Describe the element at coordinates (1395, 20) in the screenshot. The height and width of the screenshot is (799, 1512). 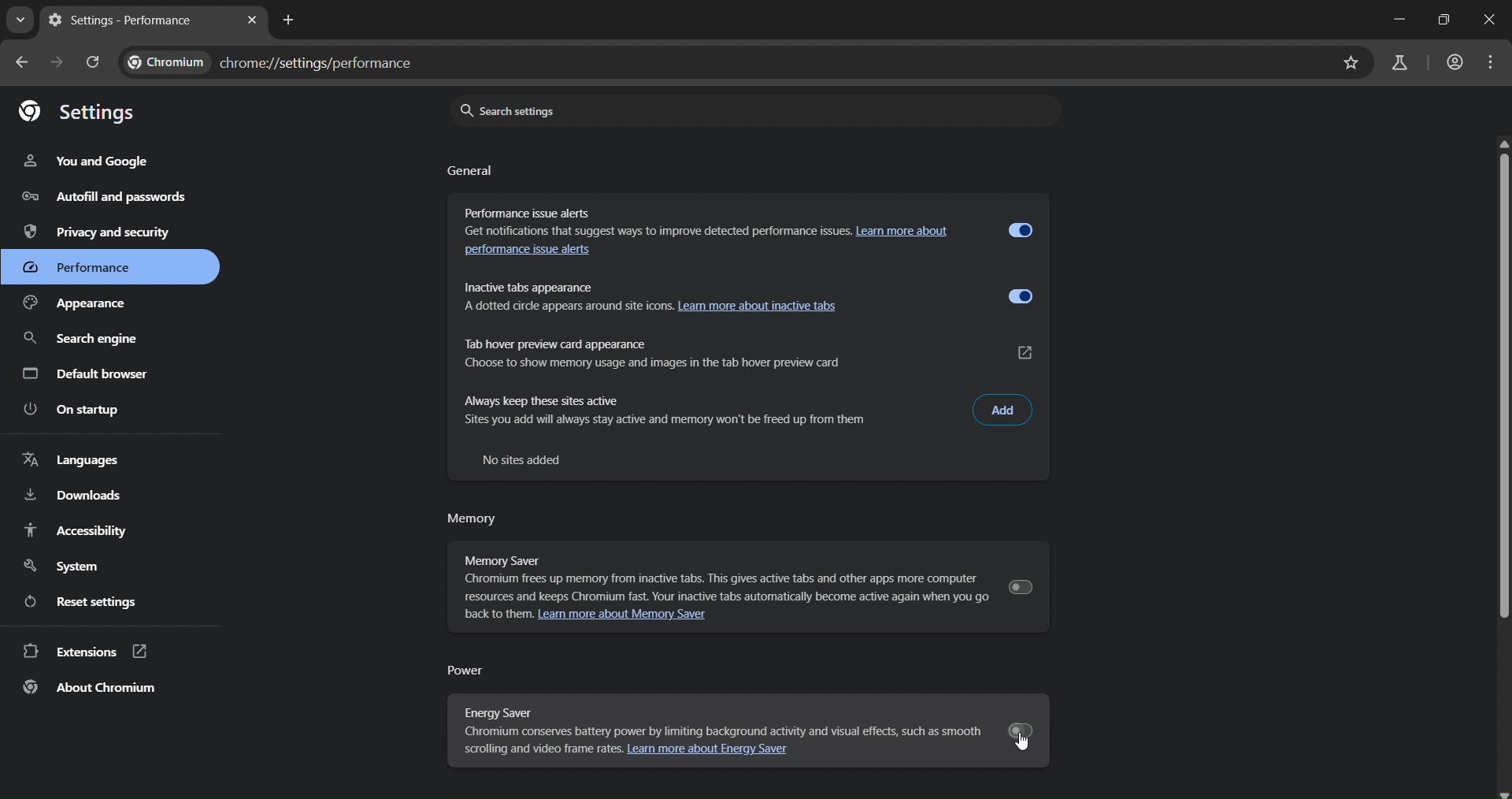
I see `minimize` at that location.